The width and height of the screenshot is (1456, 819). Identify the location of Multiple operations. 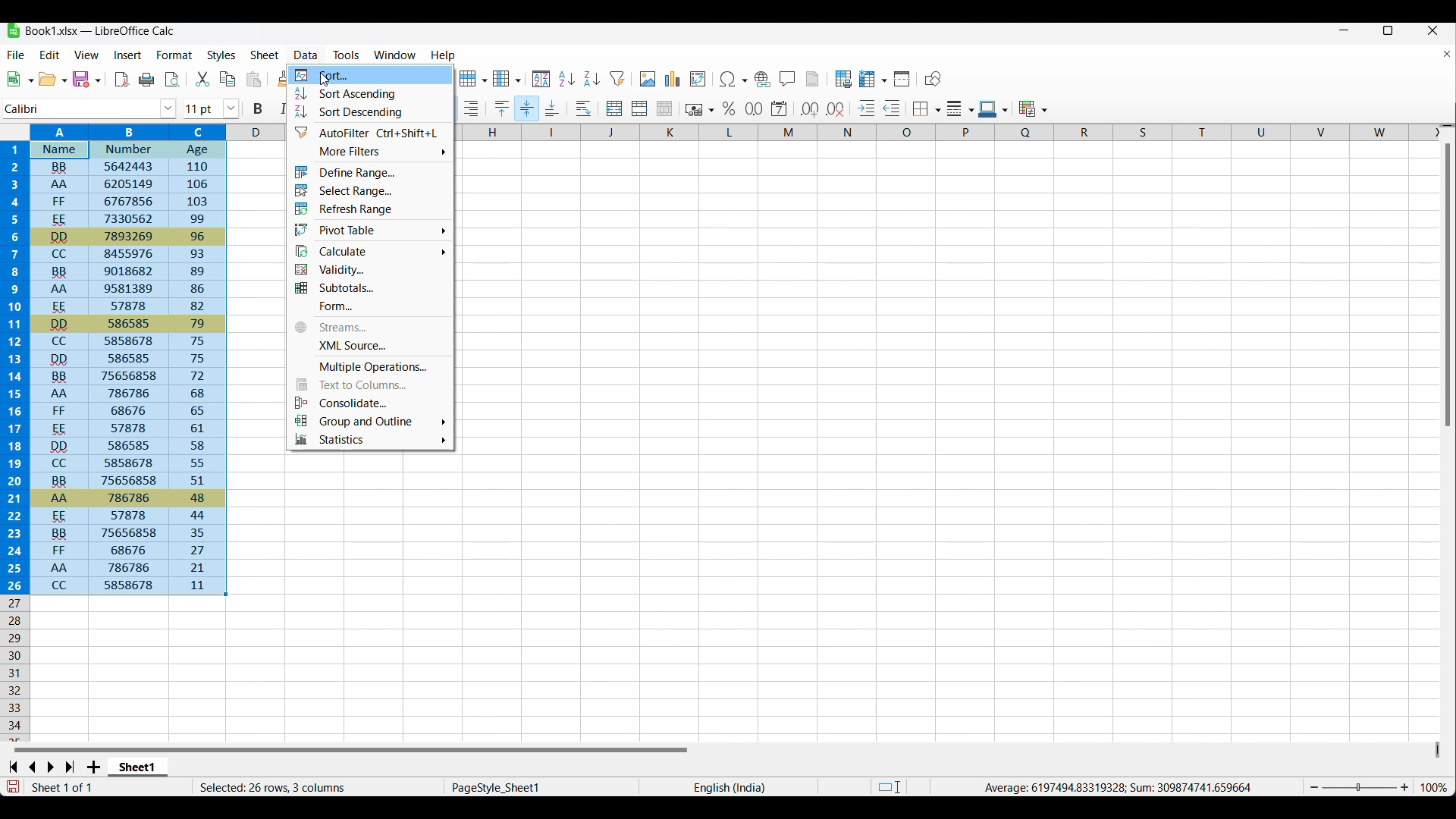
(372, 367).